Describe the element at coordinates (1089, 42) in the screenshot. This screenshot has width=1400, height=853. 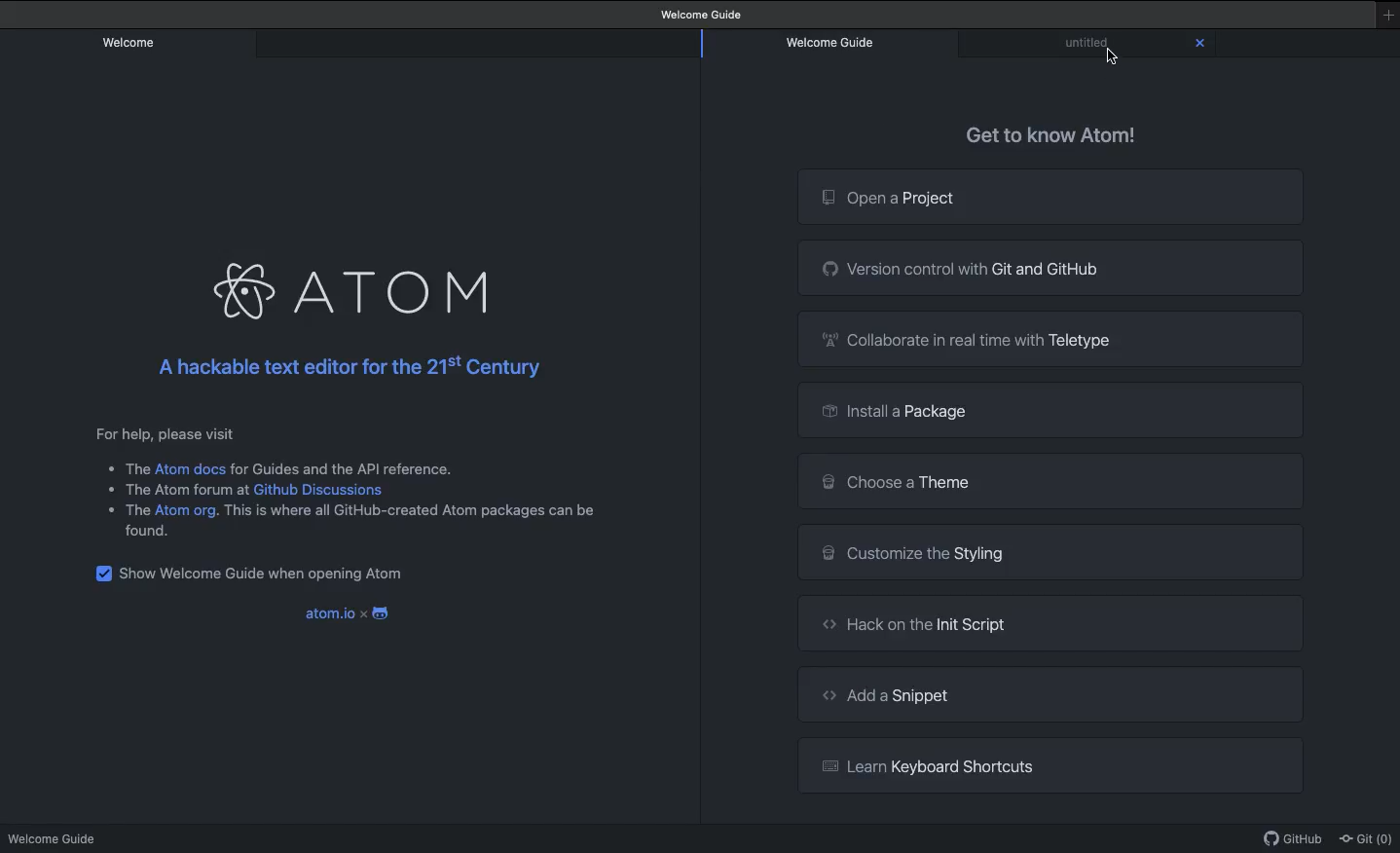
I see `Editor` at that location.